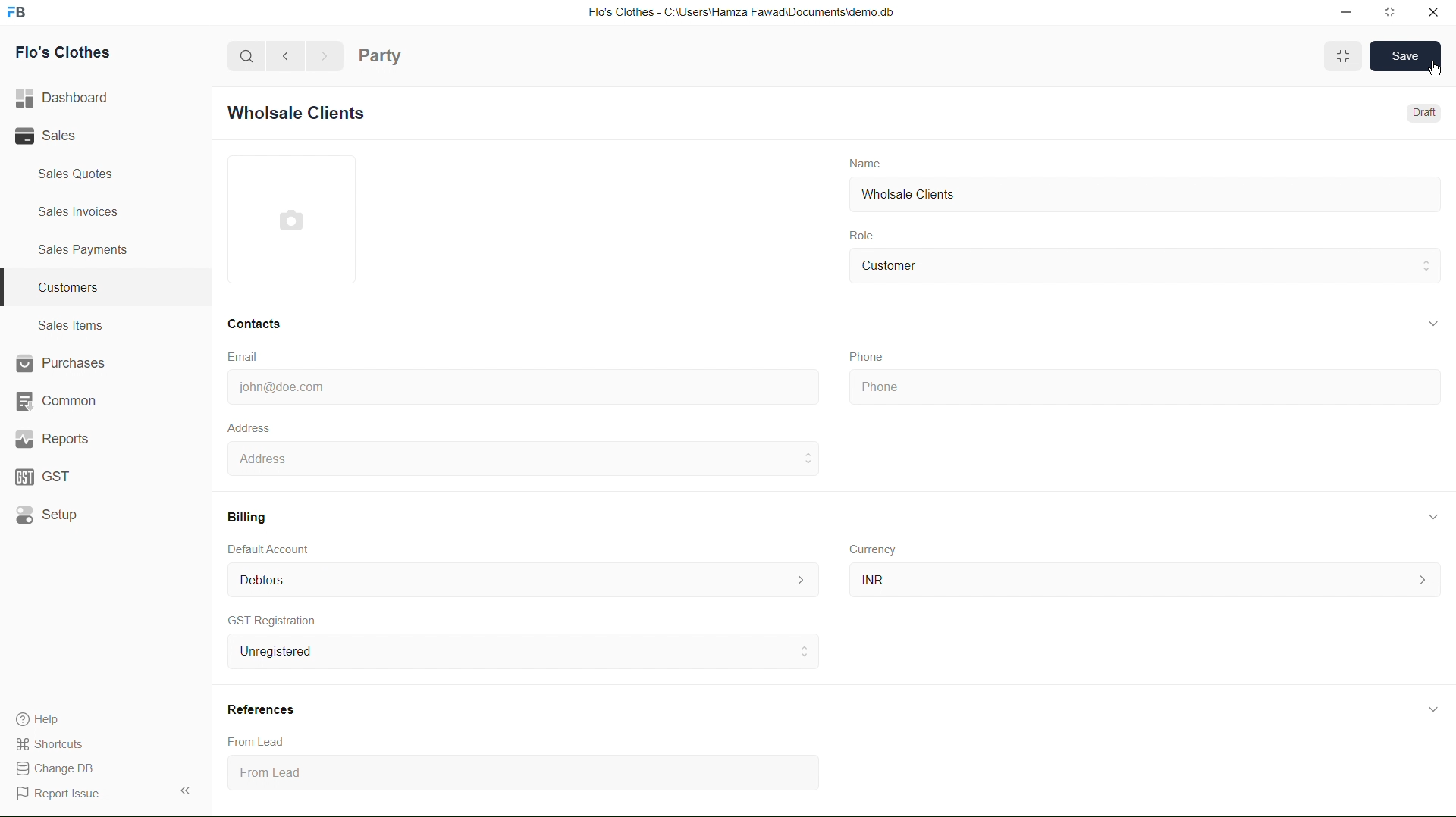 The width and height of the screenshot is (1456, 817). I want to click on maximize, so click(1392, 14).